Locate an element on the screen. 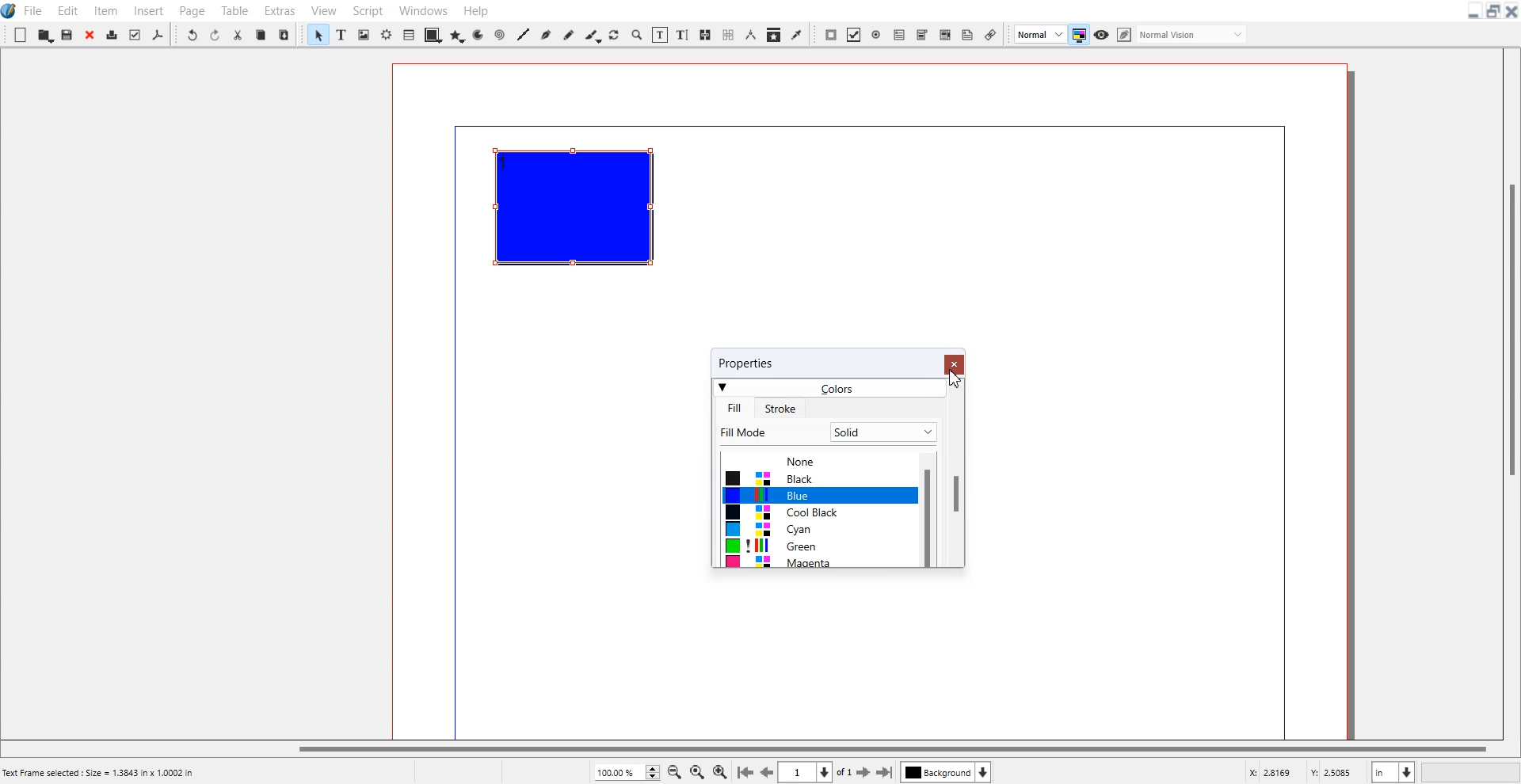  PDF Radio Button is located at coordinates (876, 35).